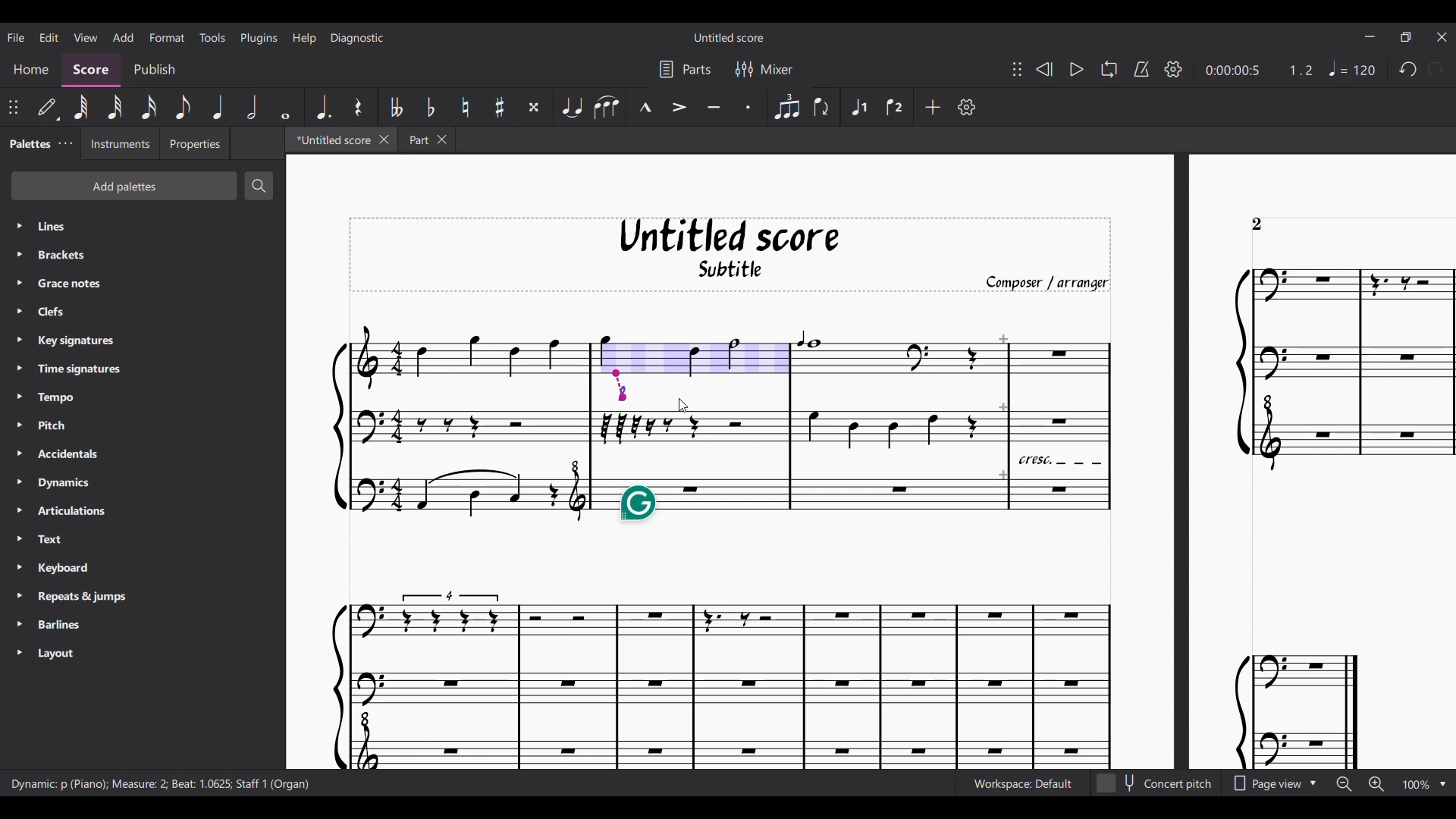 The height and width of the screenshot is (819, 1456). I want to click on Home section, so click(33, 70).